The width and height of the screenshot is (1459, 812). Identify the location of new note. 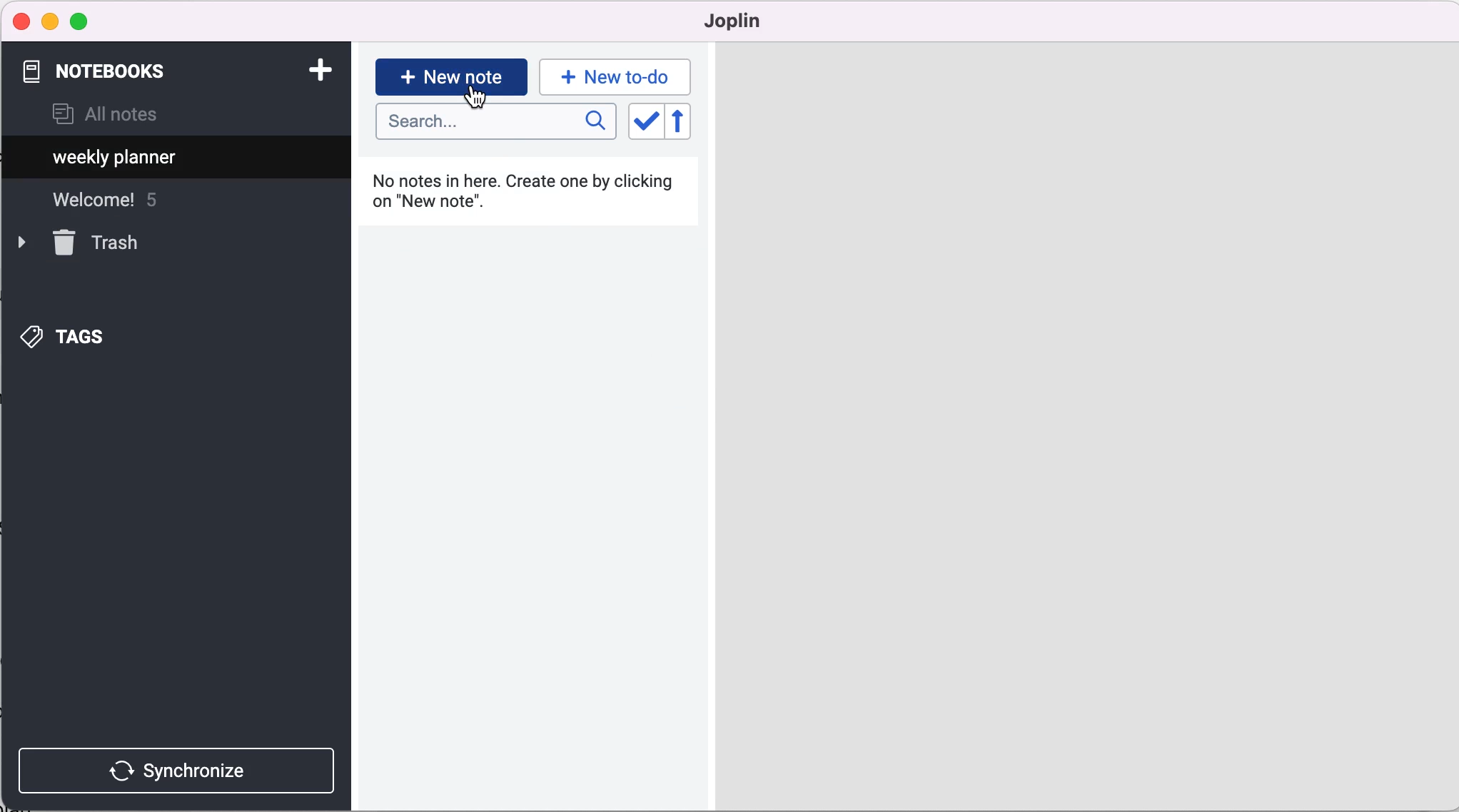
(451, 76).